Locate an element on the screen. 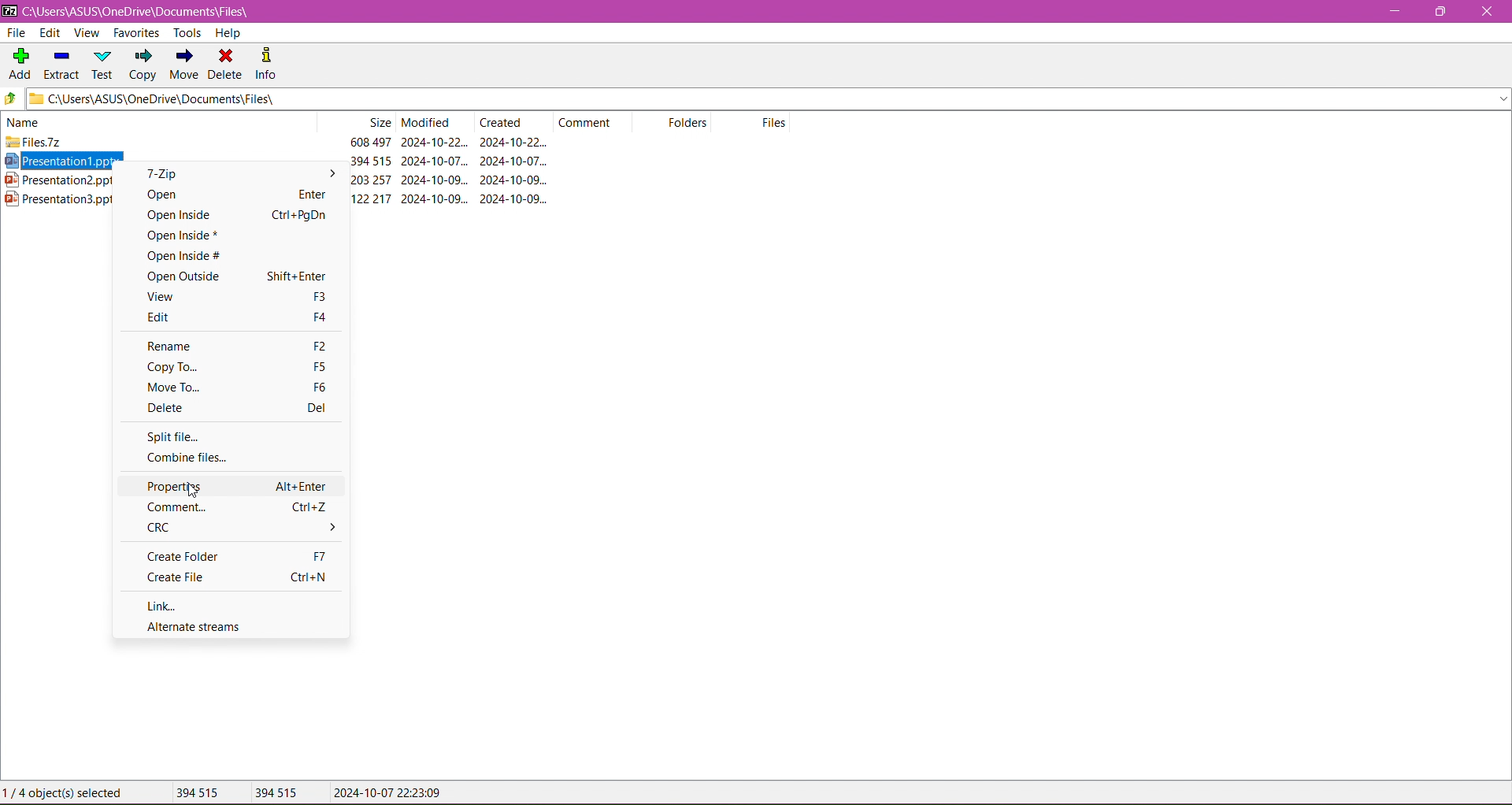 The image size is (1512, 805). 2024-10-09 is located at coordinates (435, 180).